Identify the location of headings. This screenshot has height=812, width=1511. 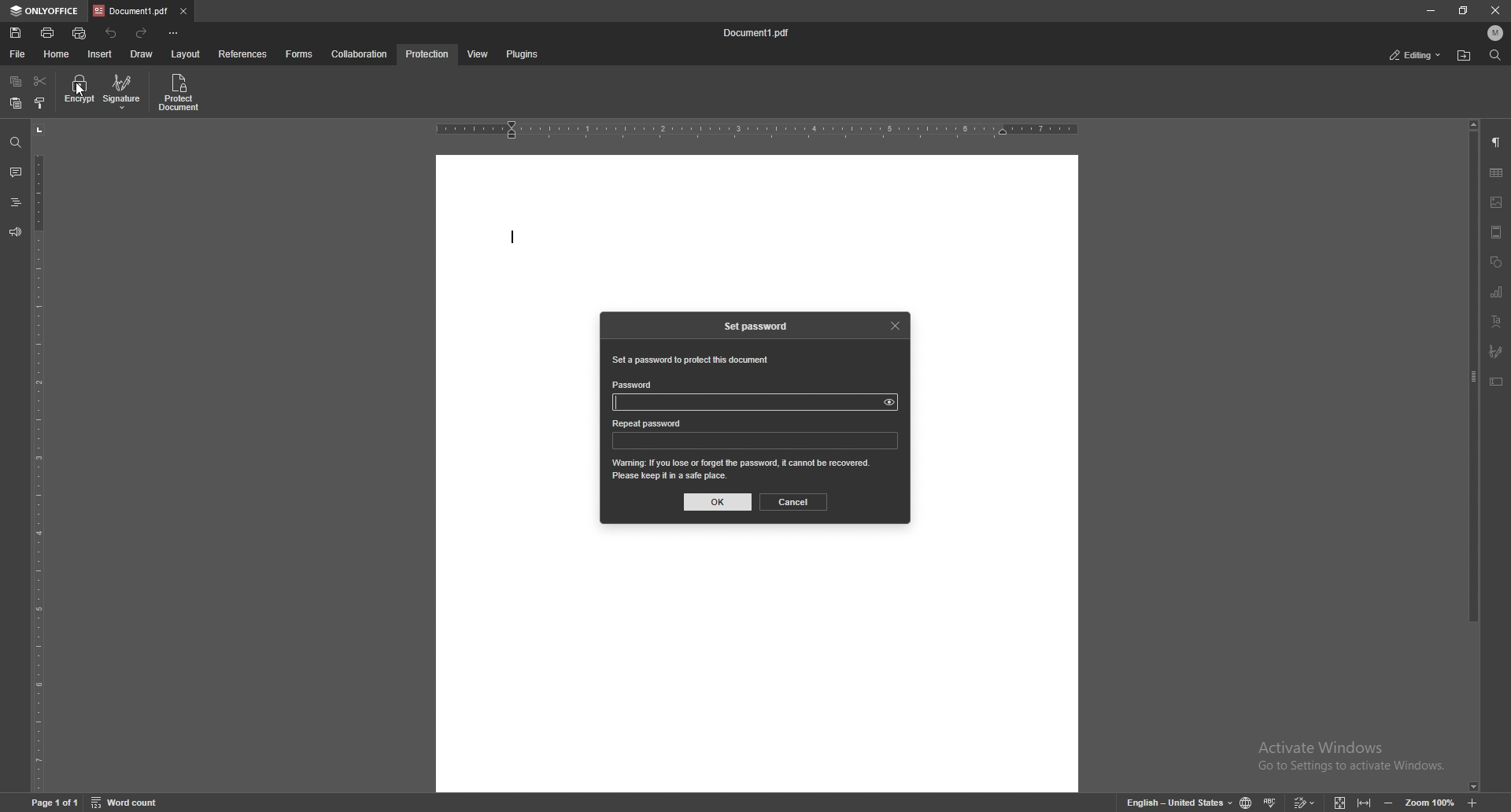
(14, 202).